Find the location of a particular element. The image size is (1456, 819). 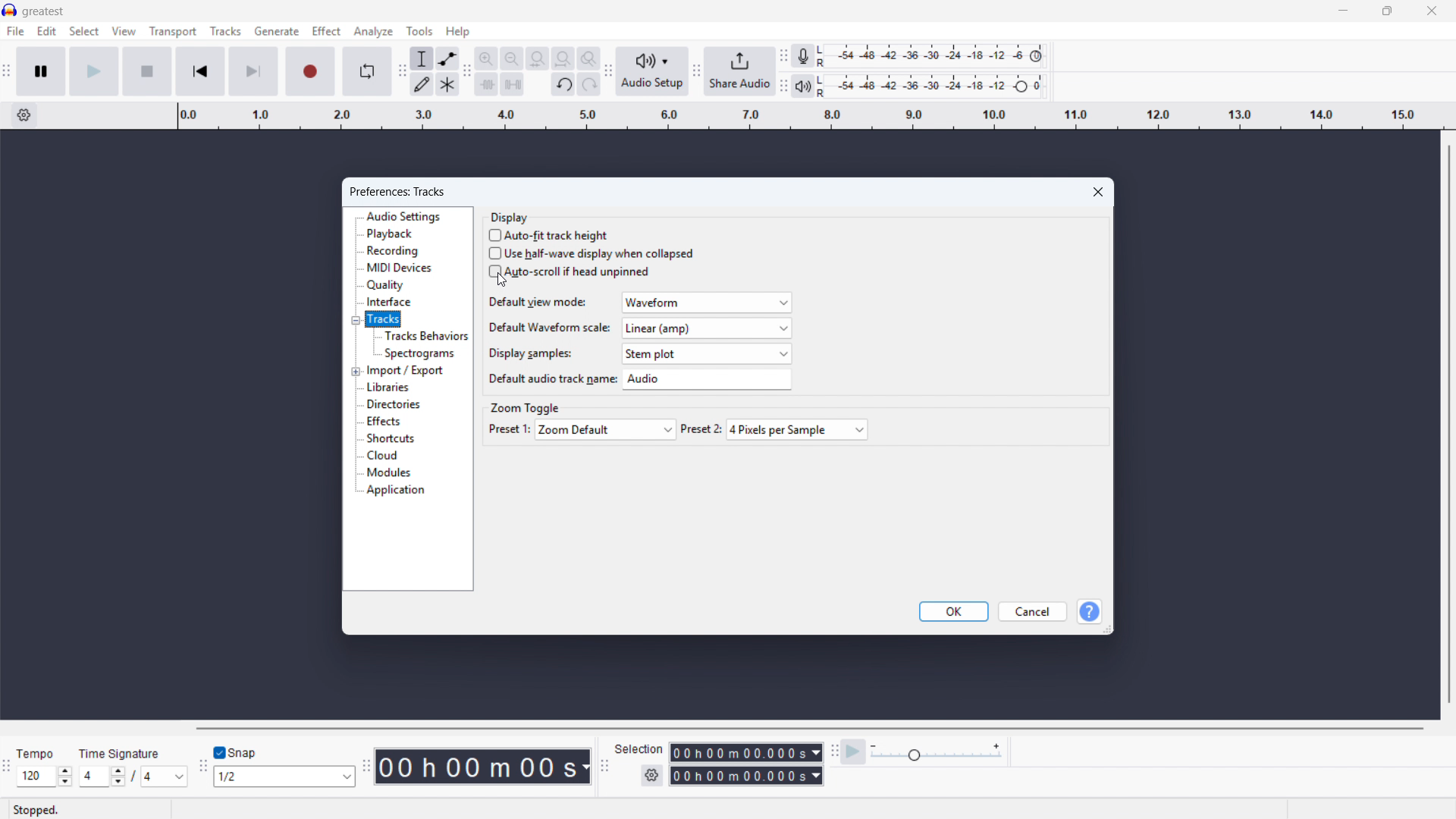

Audio settings  is located at coordinates (404, 217).